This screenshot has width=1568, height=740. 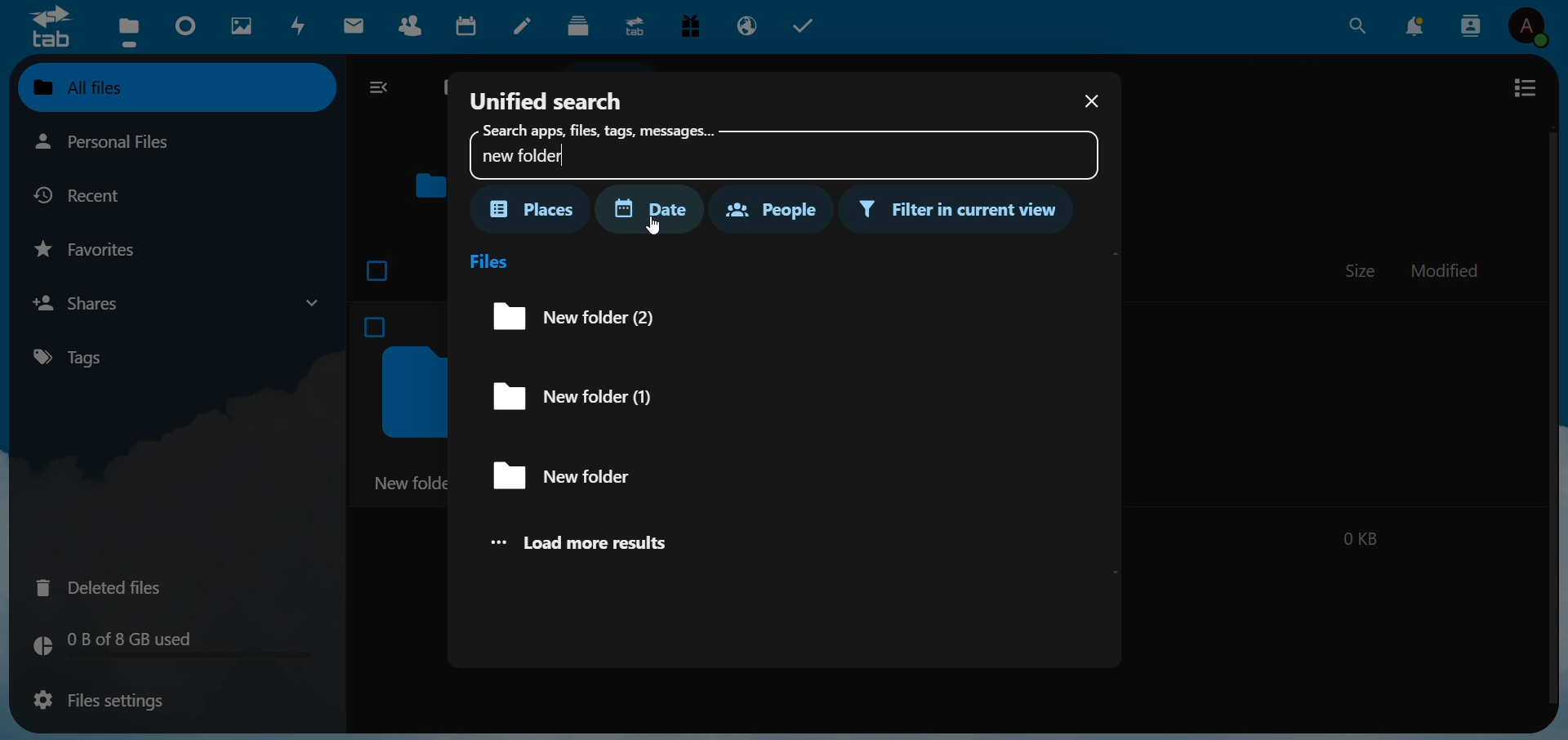 I want to click on personal, so click(x=138, y=143).